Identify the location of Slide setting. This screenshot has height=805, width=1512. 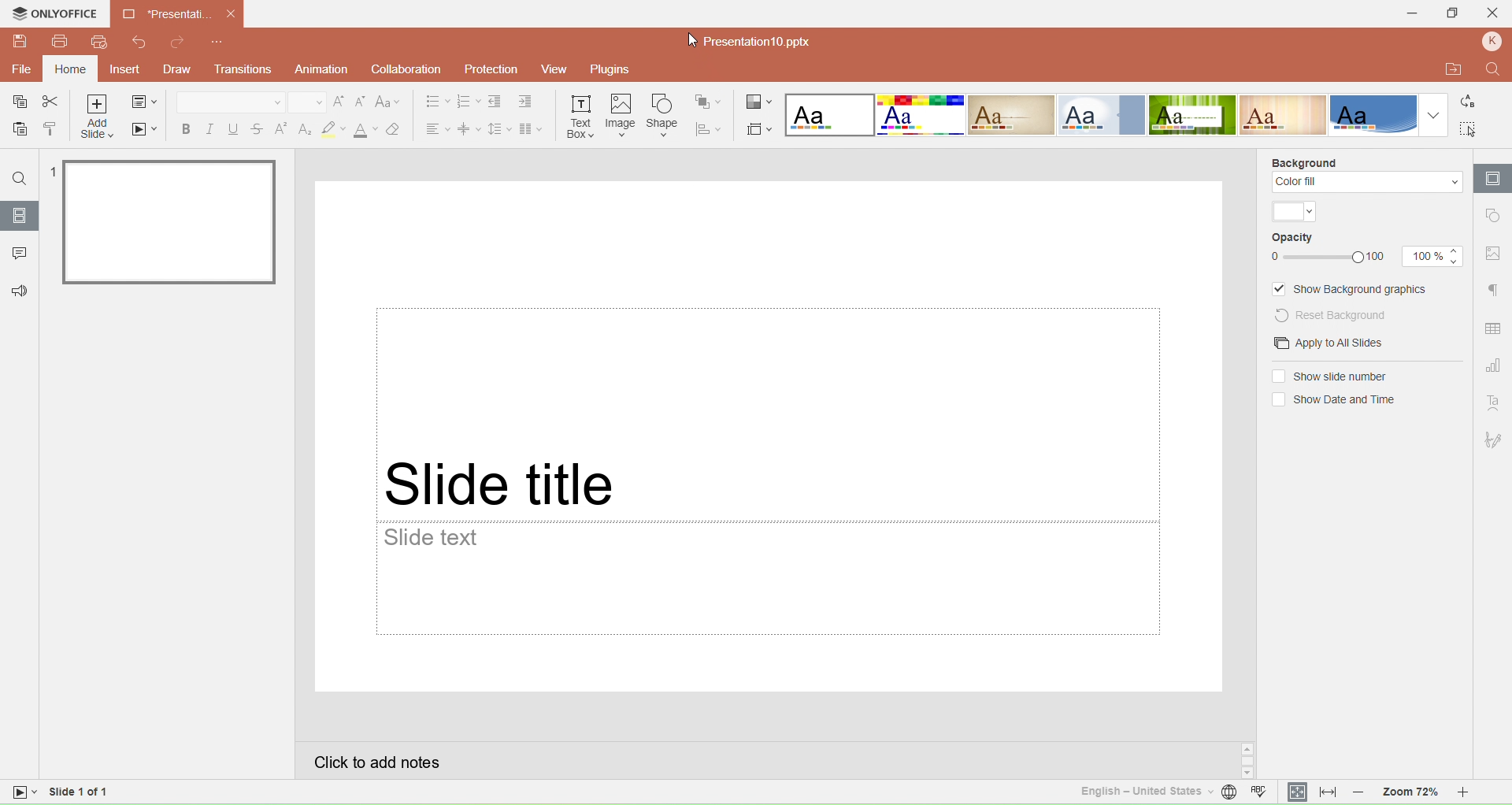
(1492, 217).